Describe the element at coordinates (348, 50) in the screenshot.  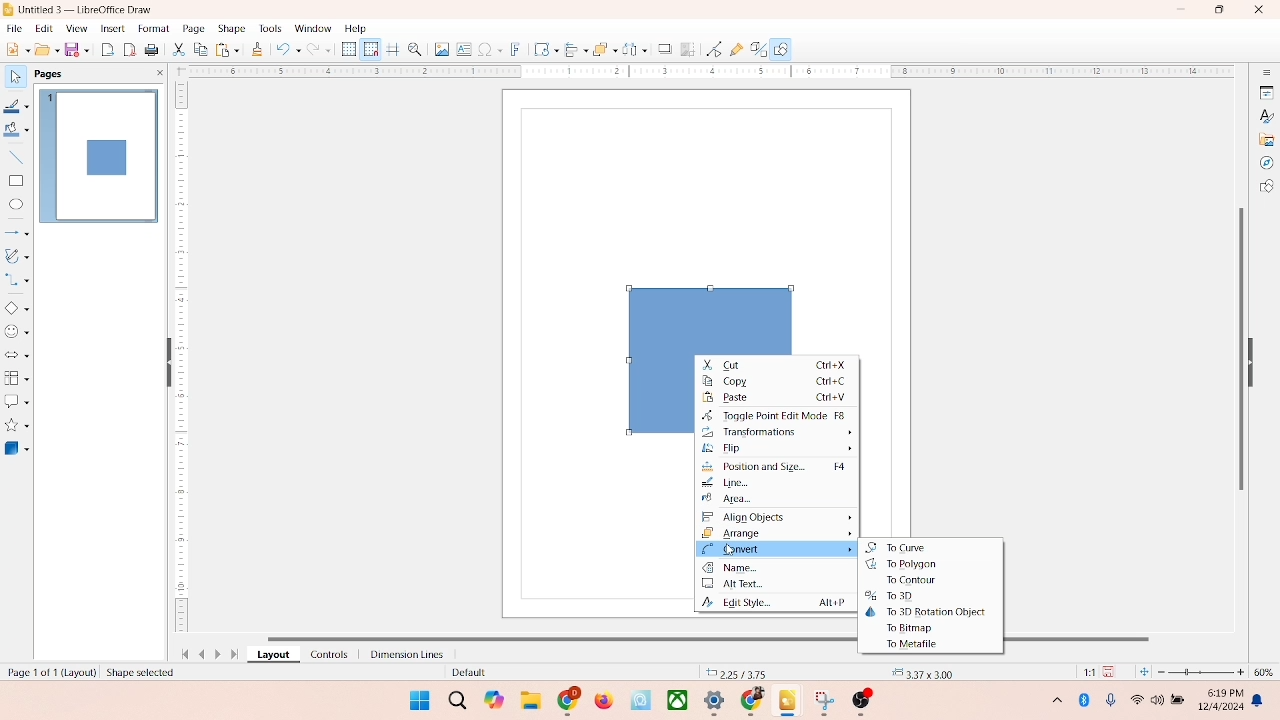
I see `show grid` at that location.